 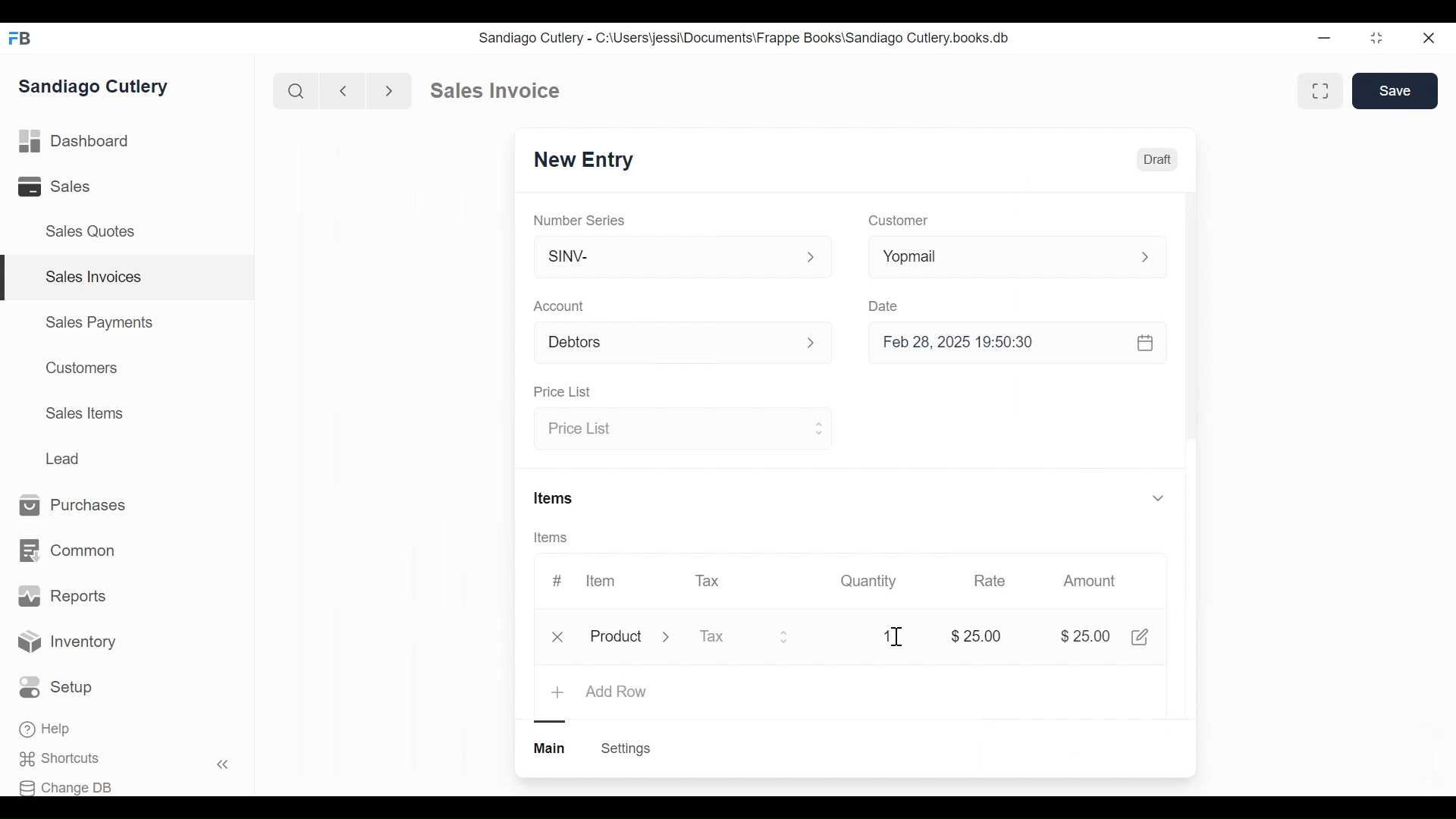 What do you see at coordinates (1021, 344) in the screenshot?
I see `Feb 28, 2025 19:50:30 &` at bounding box center [1021, 344].